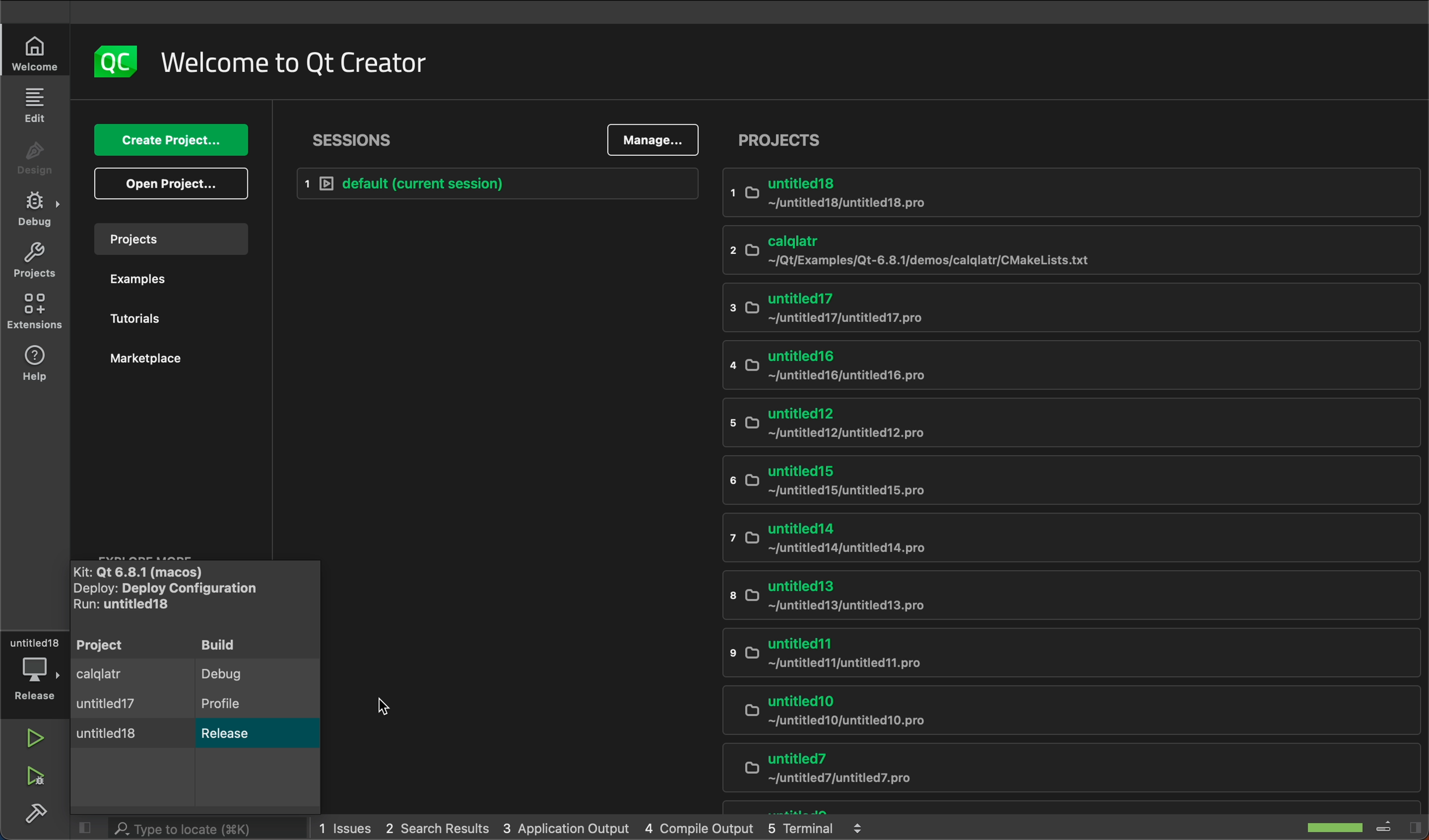 The height and width of the screenshot is (840, 1429). Describe the element at coordinates (995, 196) in the screenshot. I see `untitled18` at that location.